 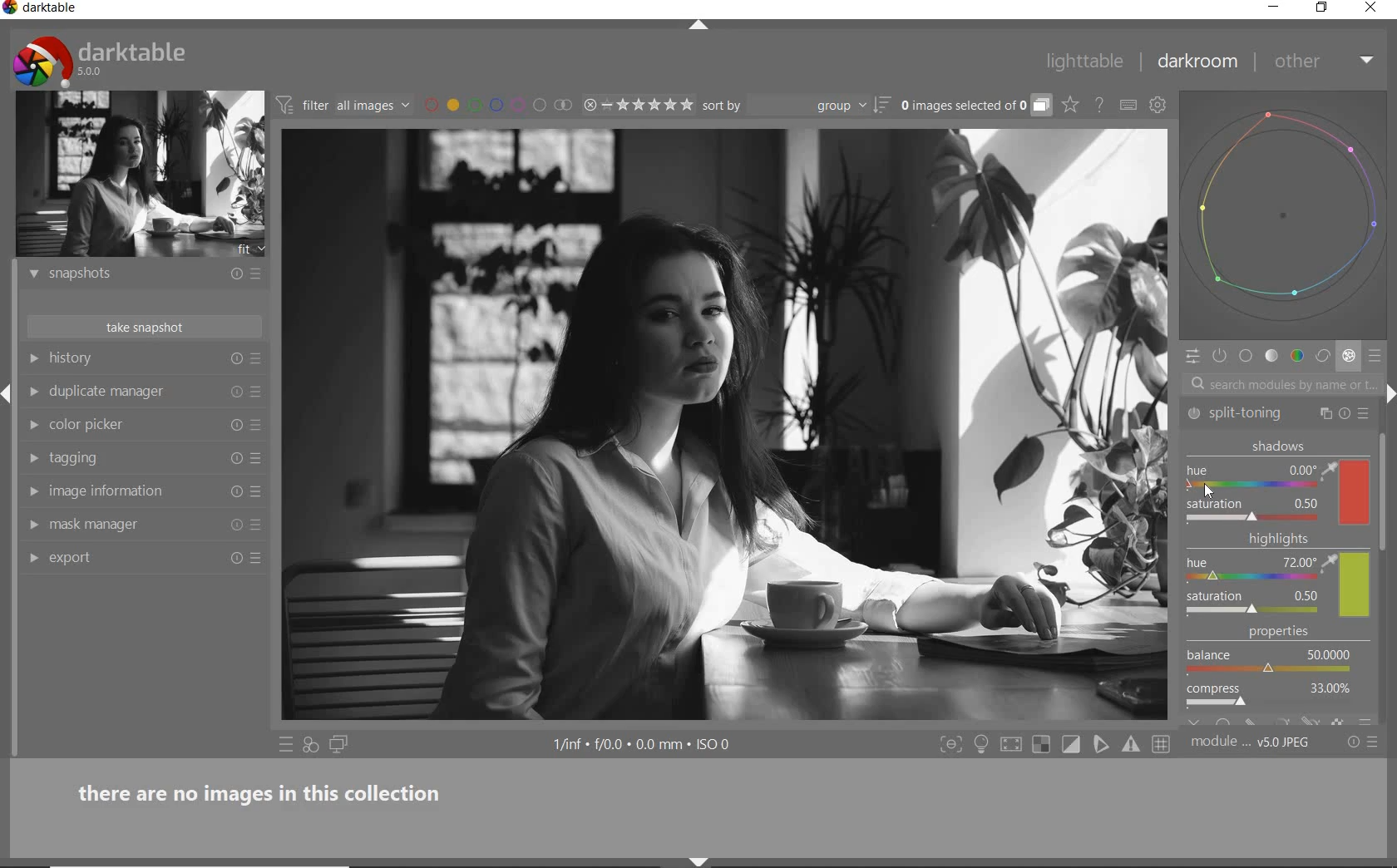 What do you see at coordinates (1040, 746) in the screenshot?
I see `shift+o` at bounding box center [1040, 746].